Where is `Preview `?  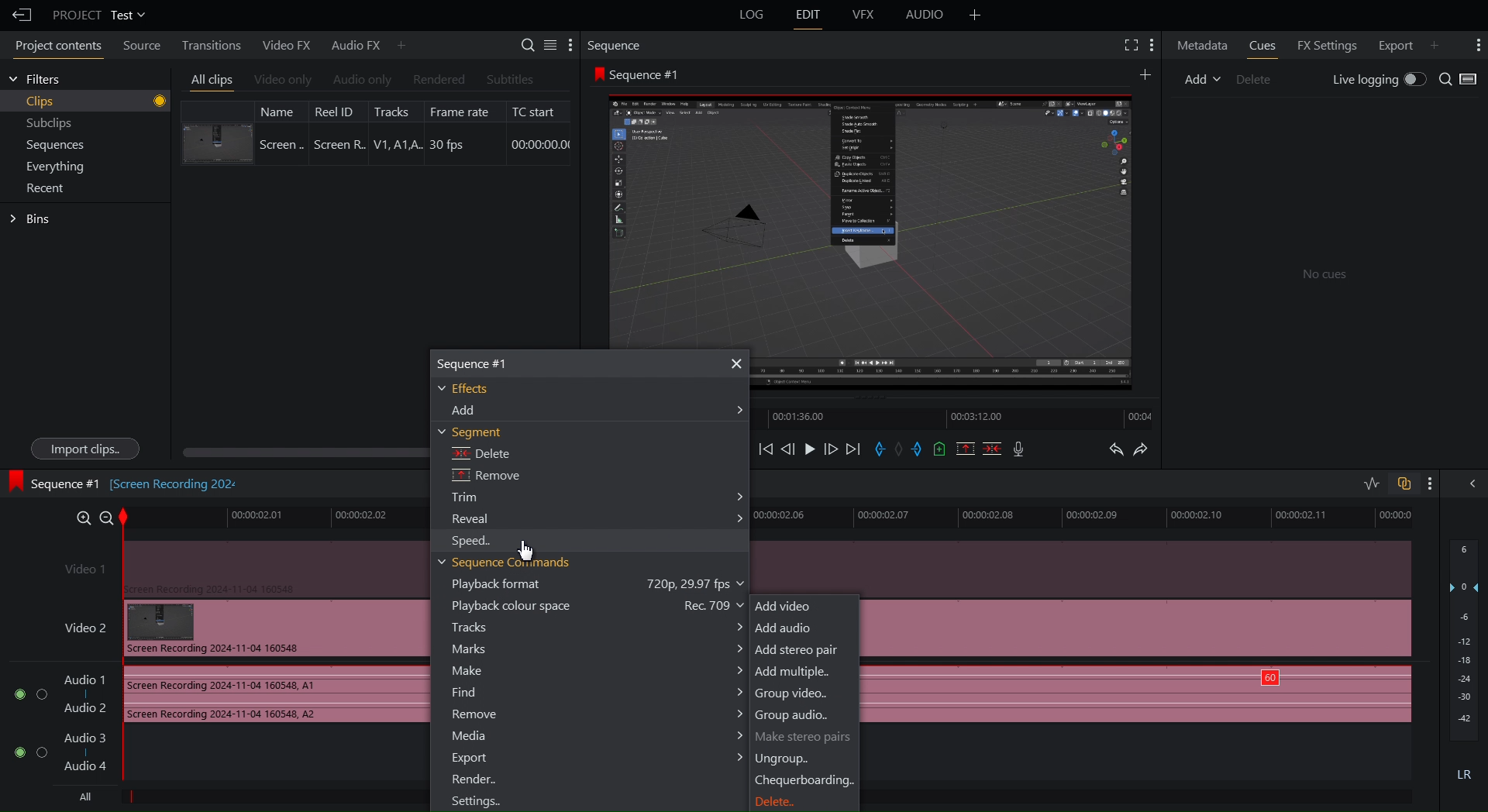 Preview  is located at coordinates (870, 214).